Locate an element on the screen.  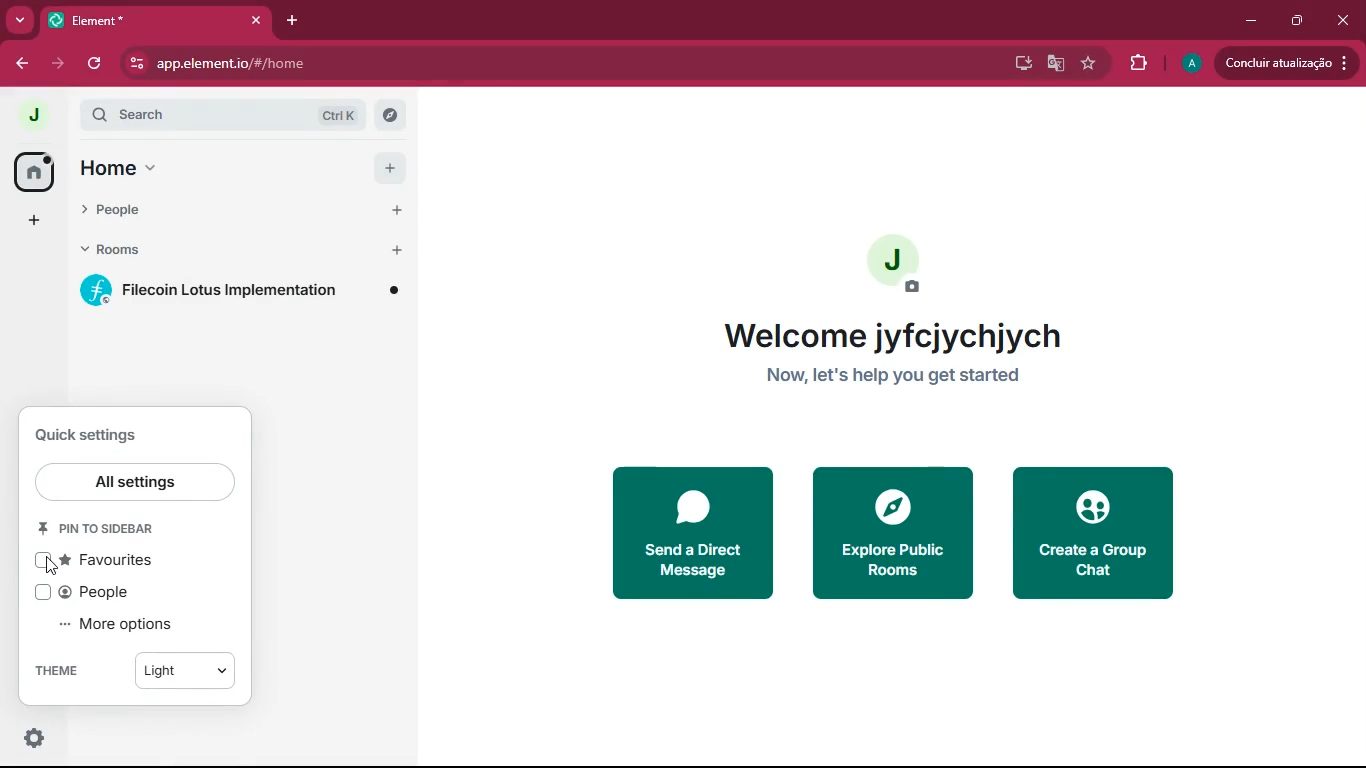
Cursor is located at coordinates (53, 566).